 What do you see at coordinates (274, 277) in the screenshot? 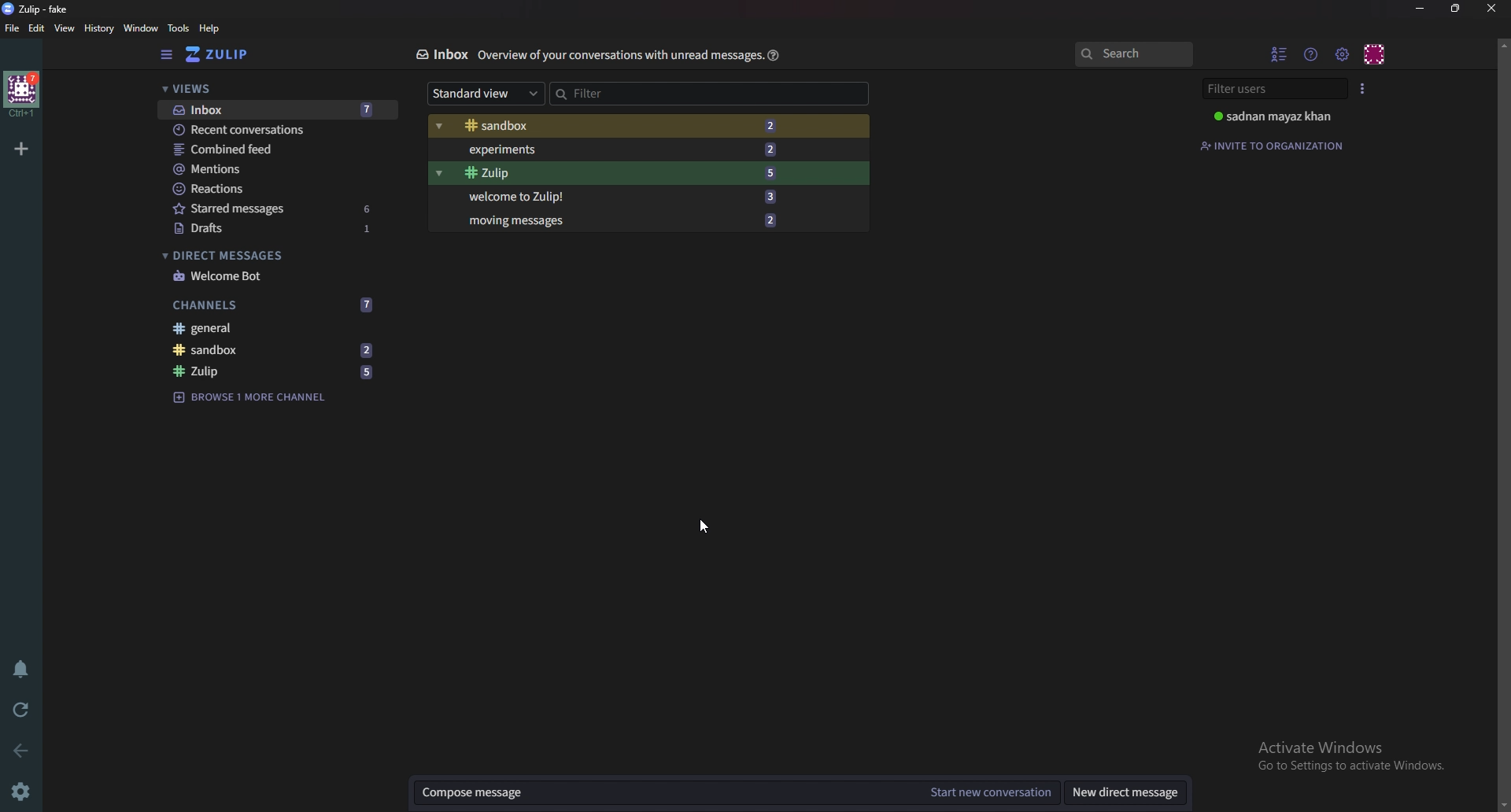
I see `Welcome bot` at bounding box center [274, 277].